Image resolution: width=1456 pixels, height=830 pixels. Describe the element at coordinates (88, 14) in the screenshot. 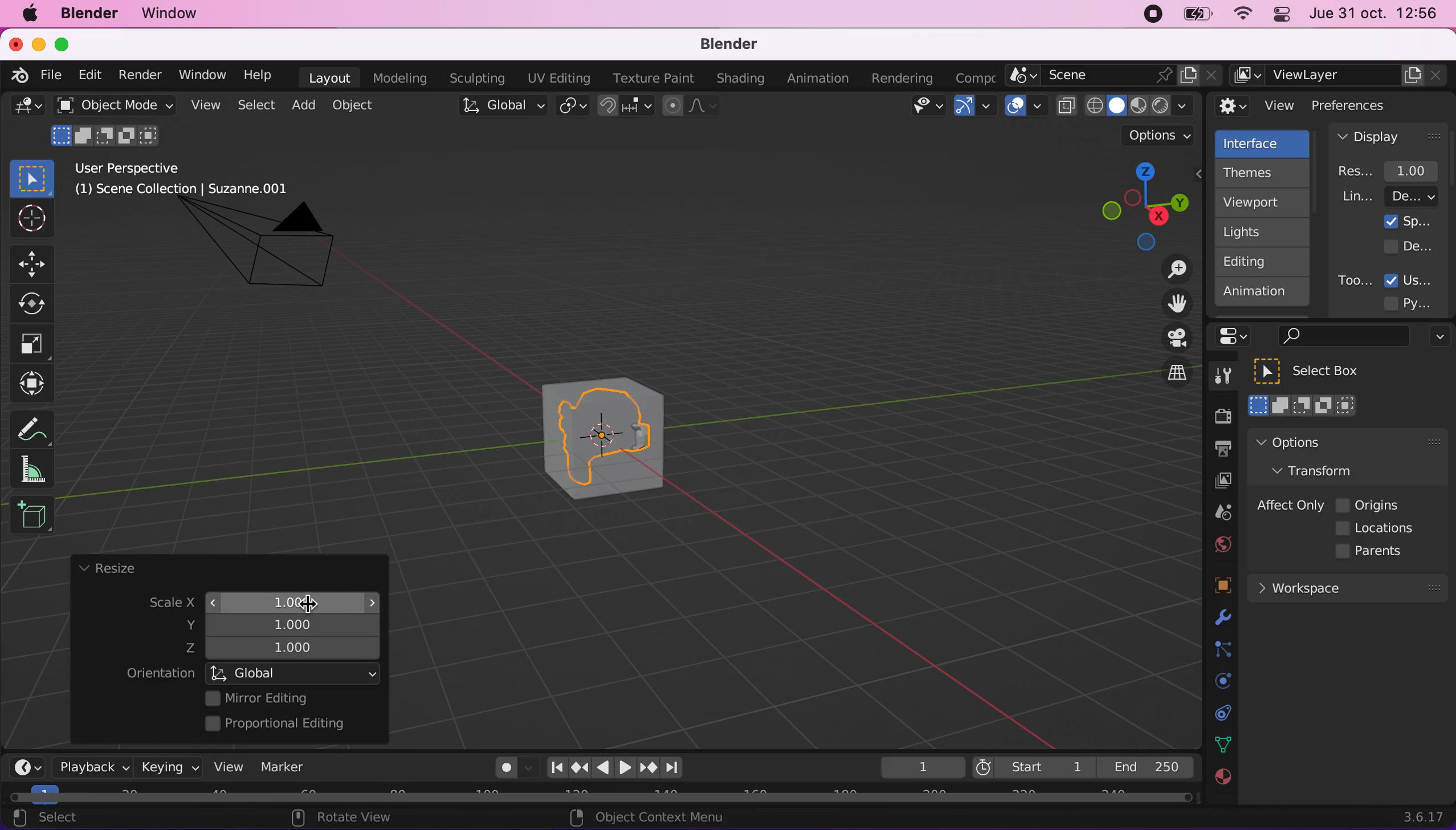

I see `blender` at that location.